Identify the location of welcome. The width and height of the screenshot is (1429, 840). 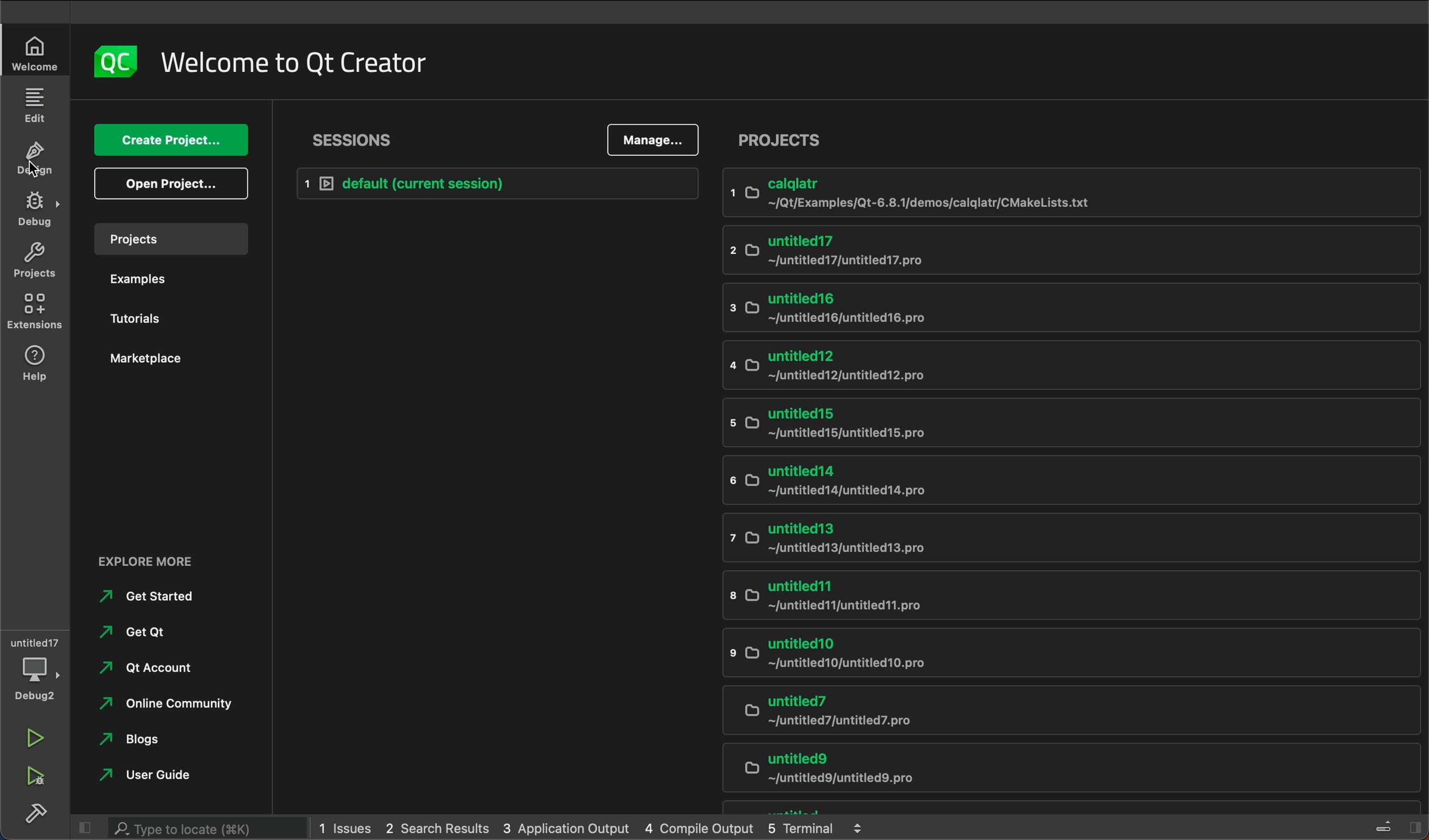
(36, 50).